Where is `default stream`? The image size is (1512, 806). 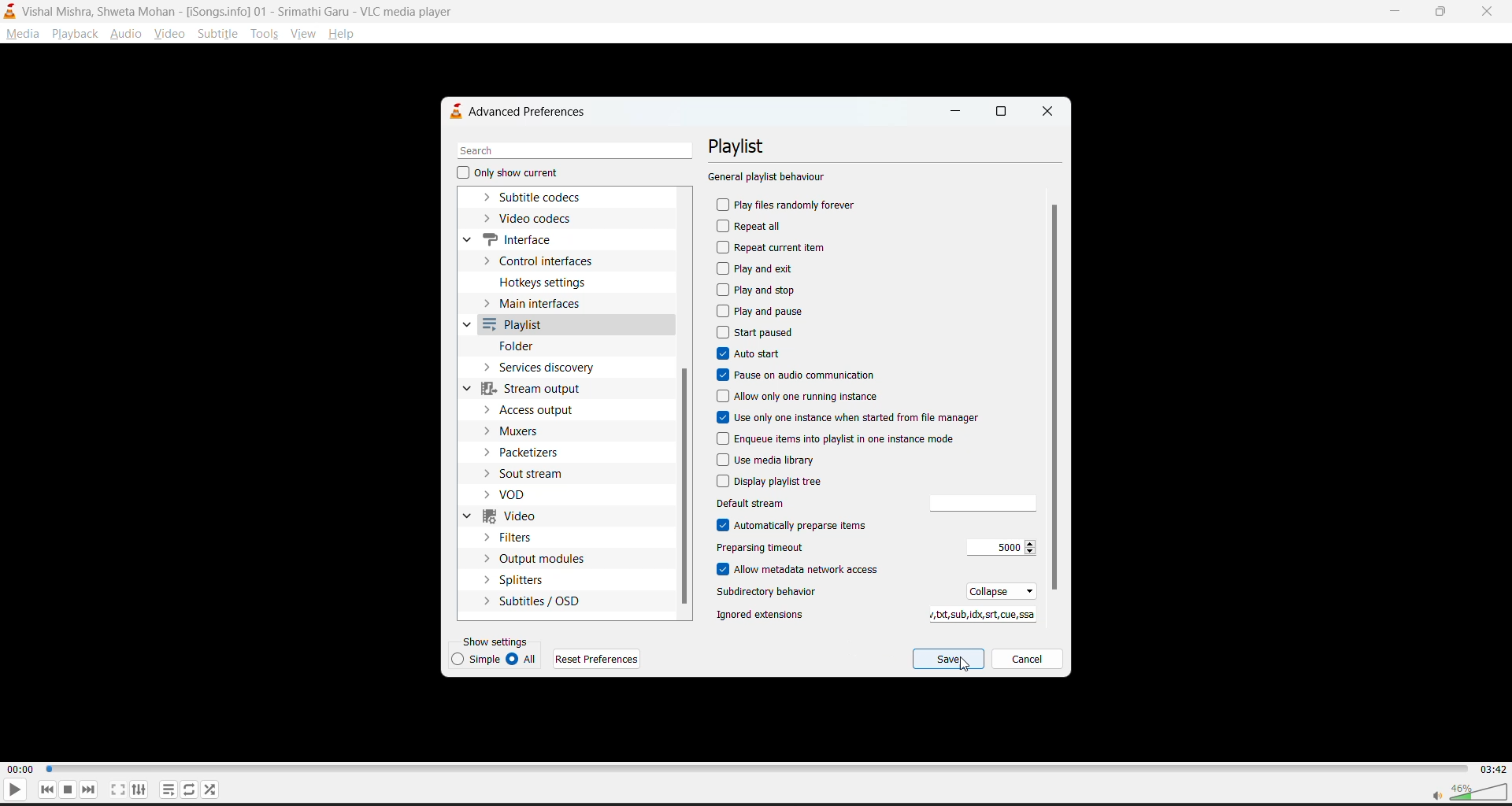
default stream is located at coordinates (875, 504).